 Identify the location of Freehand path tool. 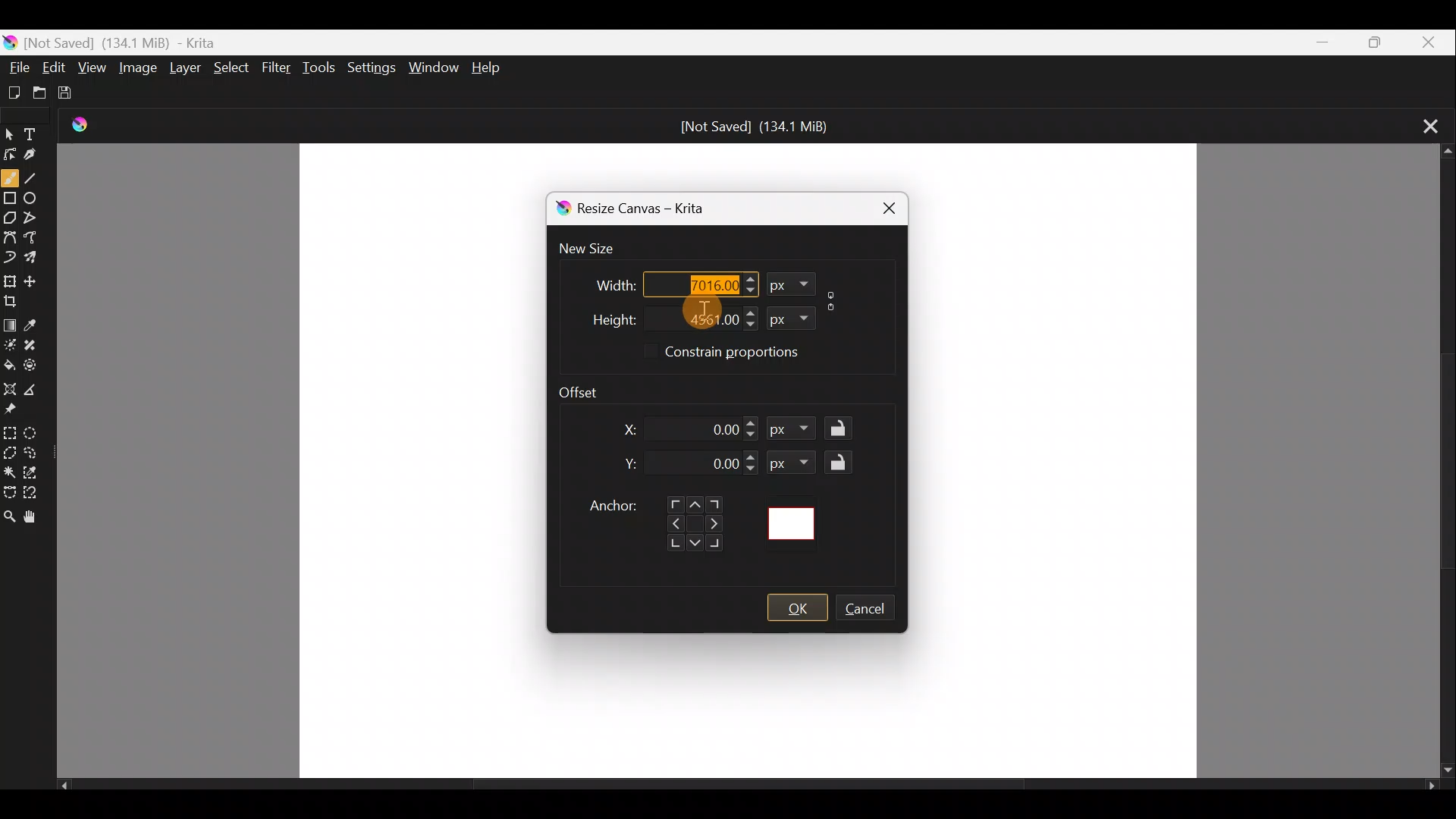
(35, 236).